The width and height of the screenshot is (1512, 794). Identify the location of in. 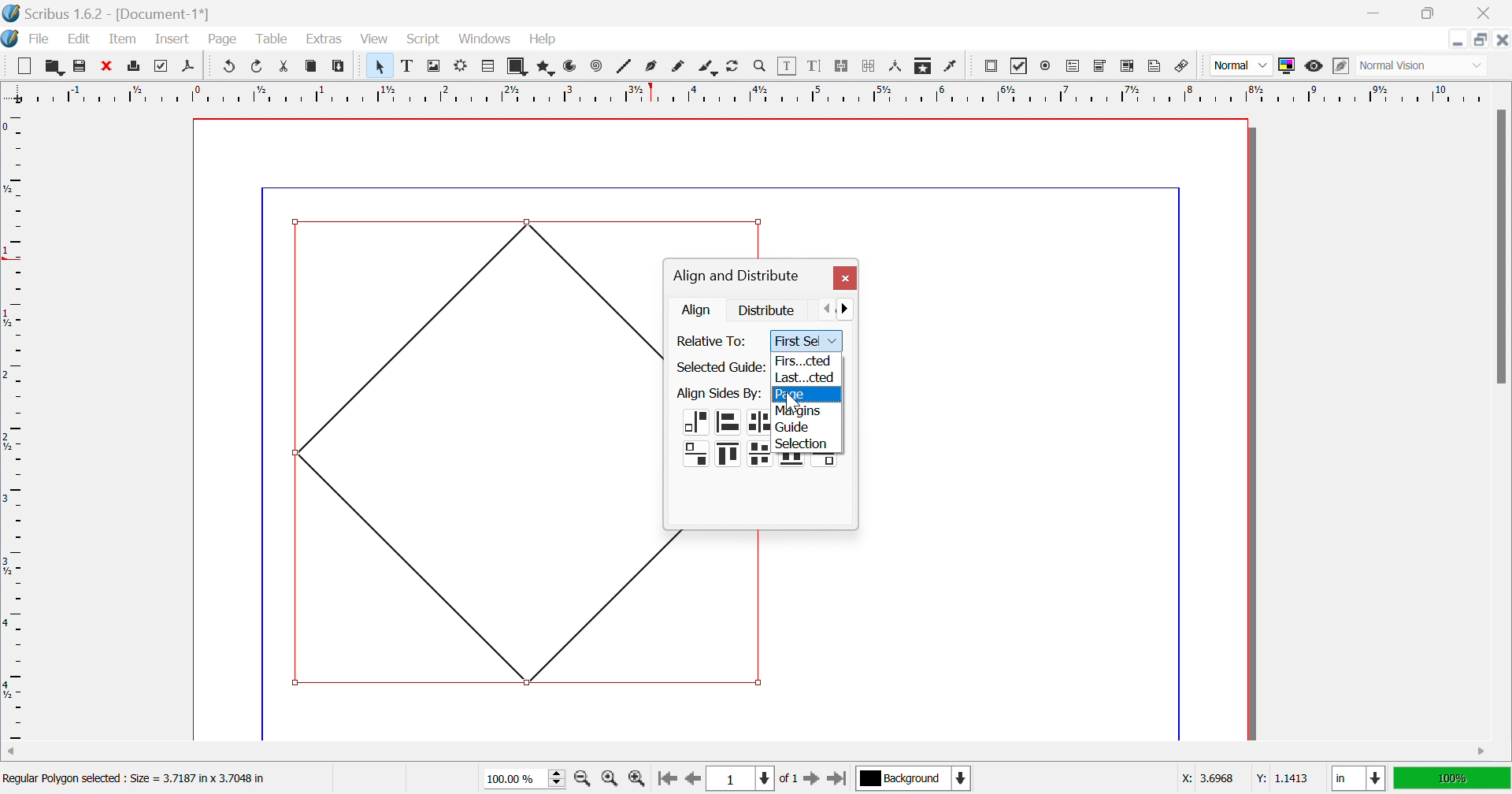
(1360, 780).